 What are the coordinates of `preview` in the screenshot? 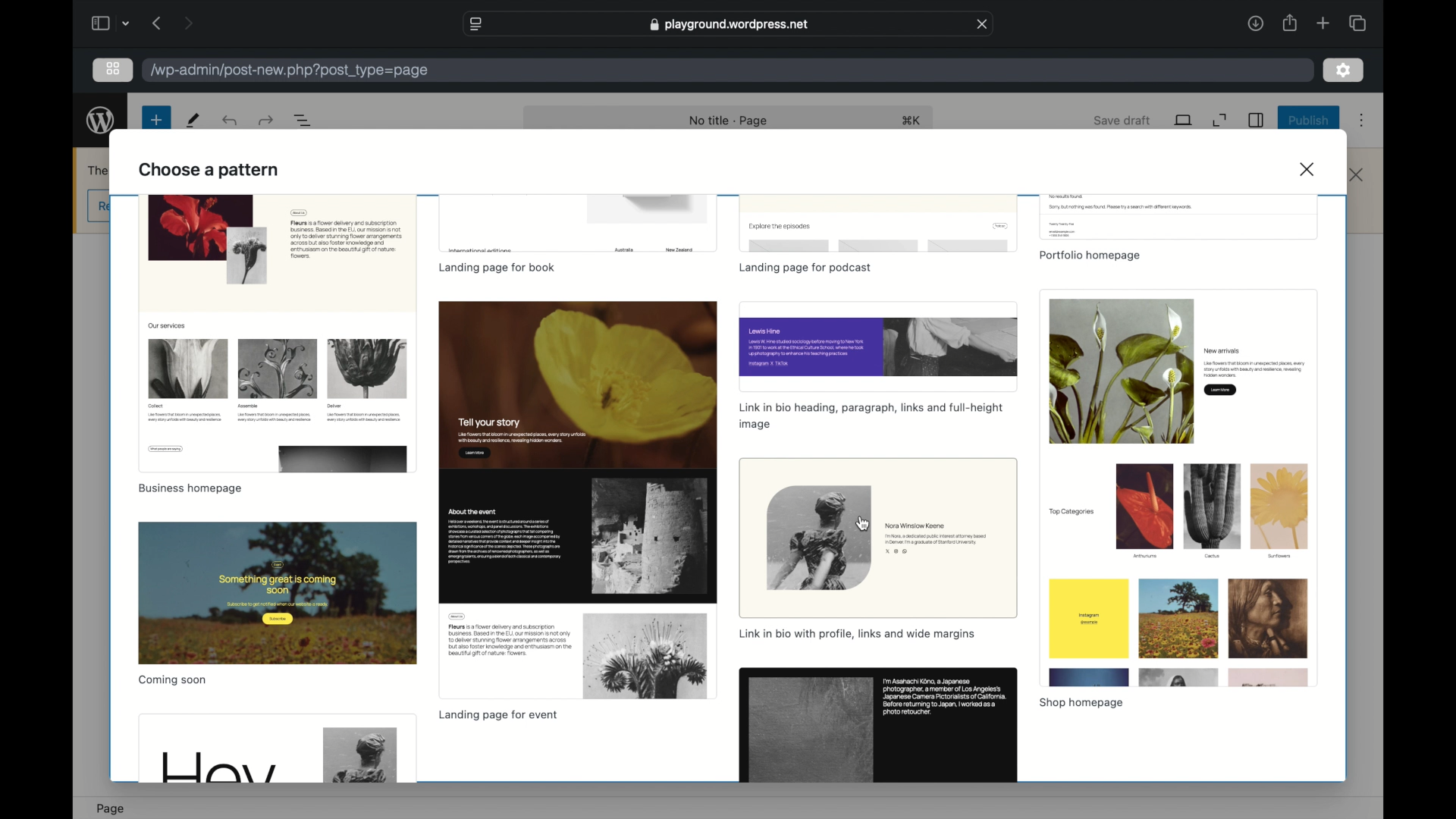 It's located at (576, 500).